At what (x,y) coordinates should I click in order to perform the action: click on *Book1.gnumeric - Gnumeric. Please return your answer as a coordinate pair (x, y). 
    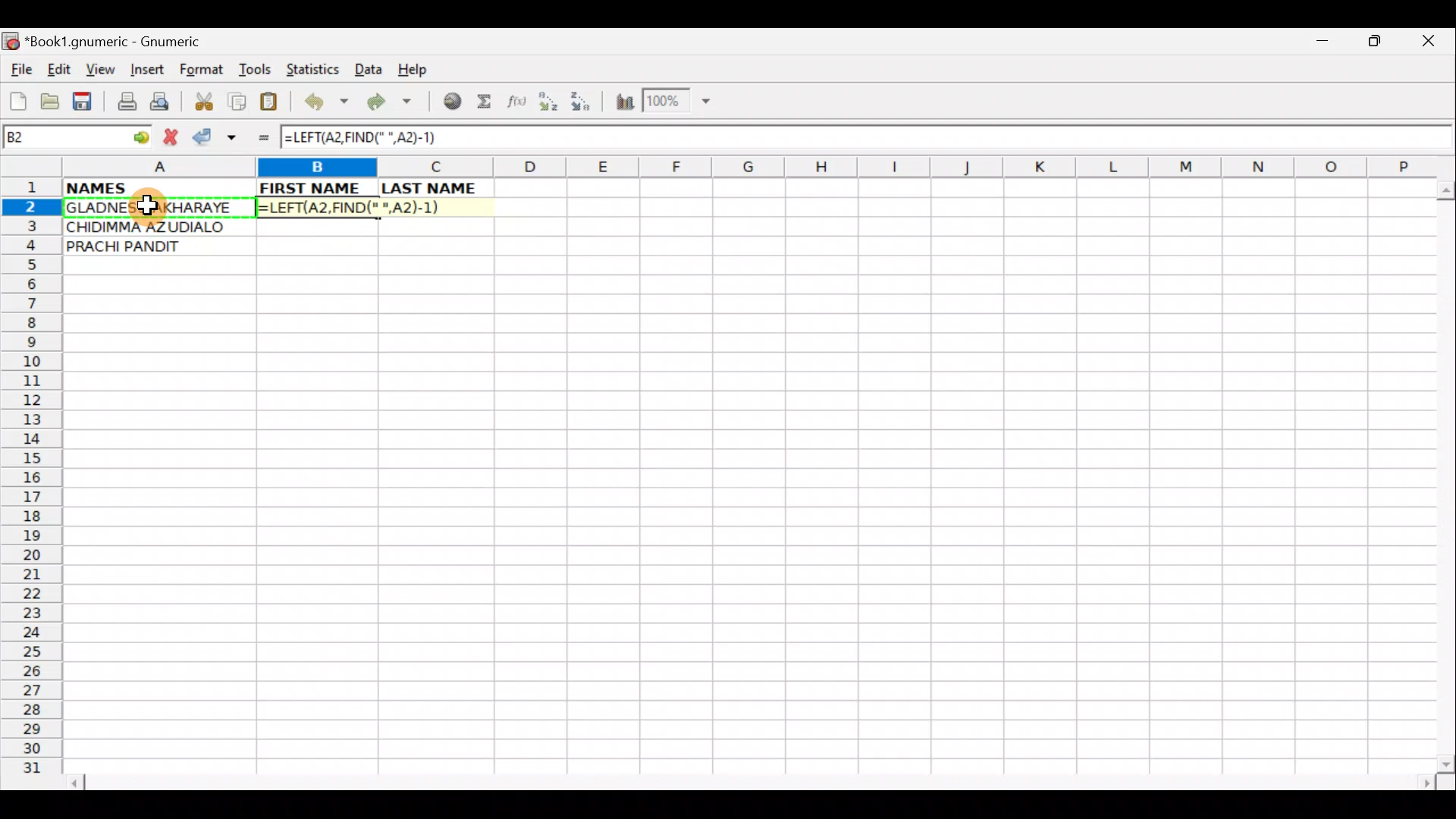
    Looking at the image, I should click on (127, 42).